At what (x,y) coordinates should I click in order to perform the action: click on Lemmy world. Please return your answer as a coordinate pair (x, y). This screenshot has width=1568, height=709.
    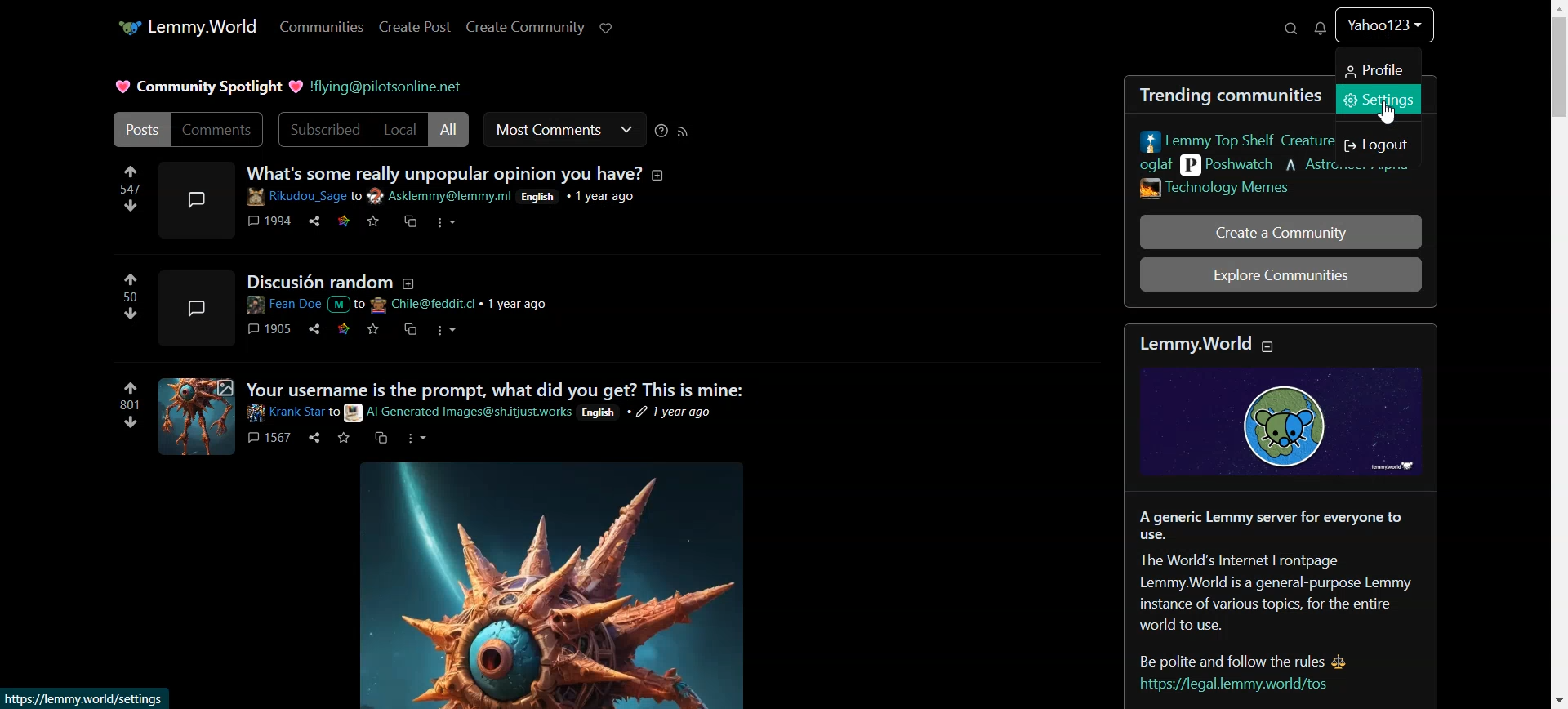
    Looking at the image, I should click on (1287, 402).